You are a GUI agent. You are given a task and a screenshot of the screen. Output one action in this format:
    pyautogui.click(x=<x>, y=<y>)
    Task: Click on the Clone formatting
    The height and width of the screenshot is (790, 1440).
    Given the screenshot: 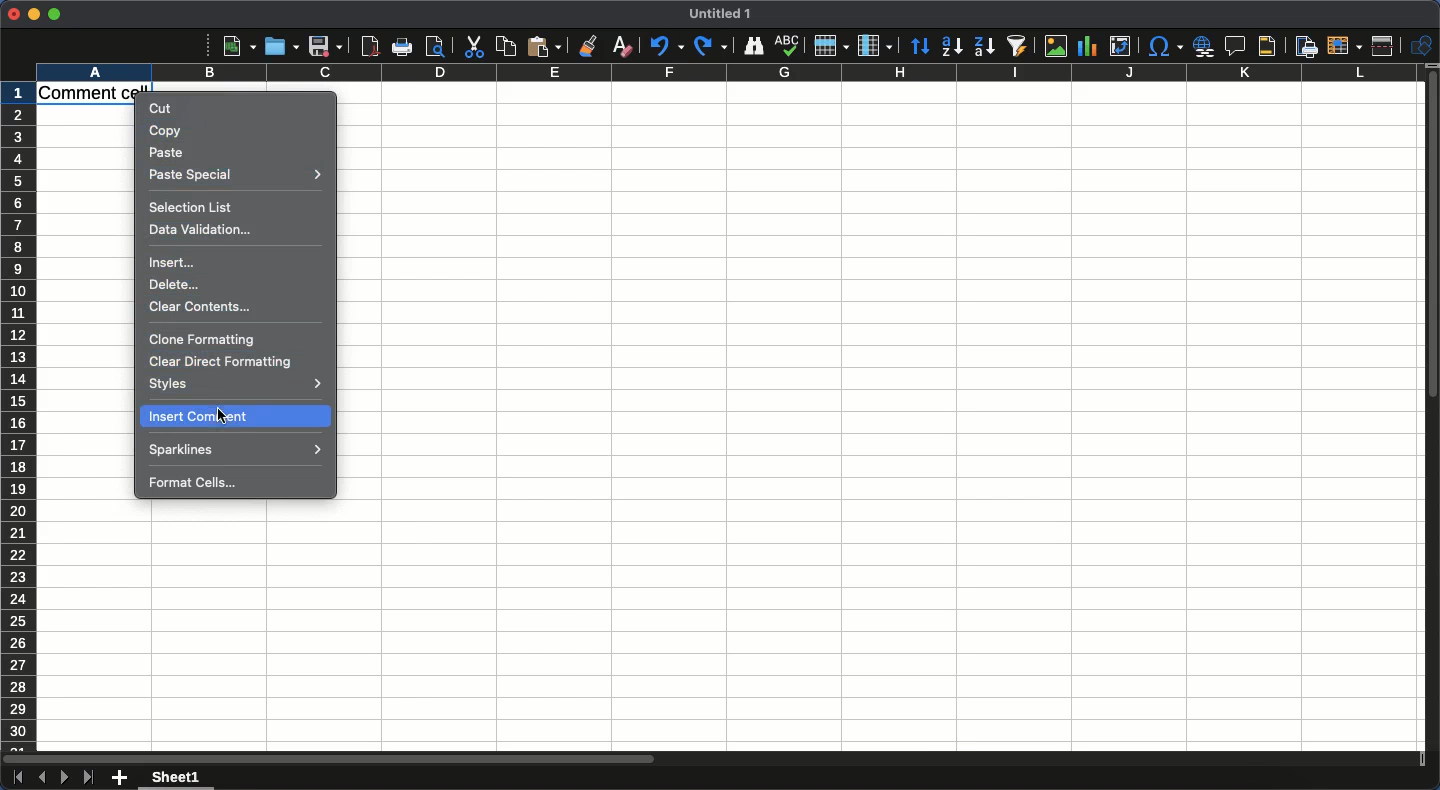 What is the action you would take?
    pyautogui.click(x=205, y=339)
    